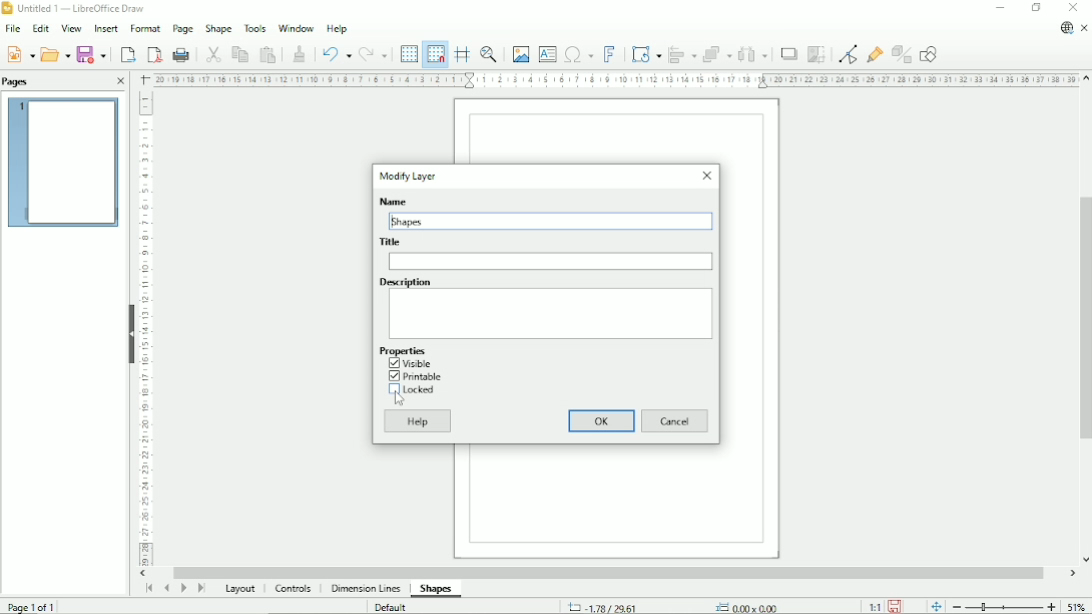 The height and width of the screenshot is (614, 1092). Describe the element at coordinates (550, 261) in the screenshot. I see `Title` at that location.